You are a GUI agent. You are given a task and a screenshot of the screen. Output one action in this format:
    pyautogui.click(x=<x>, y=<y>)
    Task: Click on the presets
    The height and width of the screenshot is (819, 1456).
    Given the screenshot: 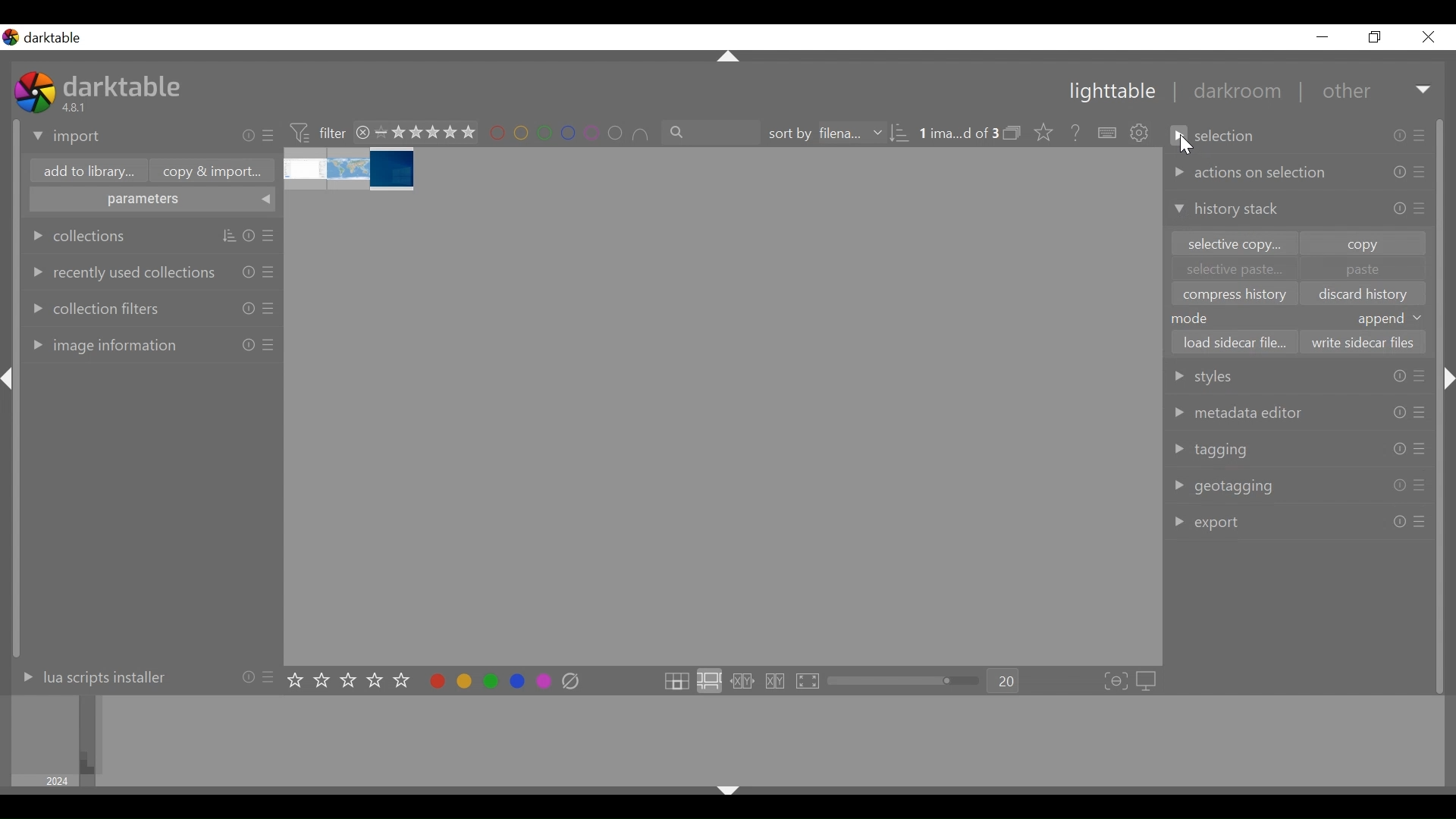 What is the action you would take?
    pyautogui.click(x=271, y=237)
    